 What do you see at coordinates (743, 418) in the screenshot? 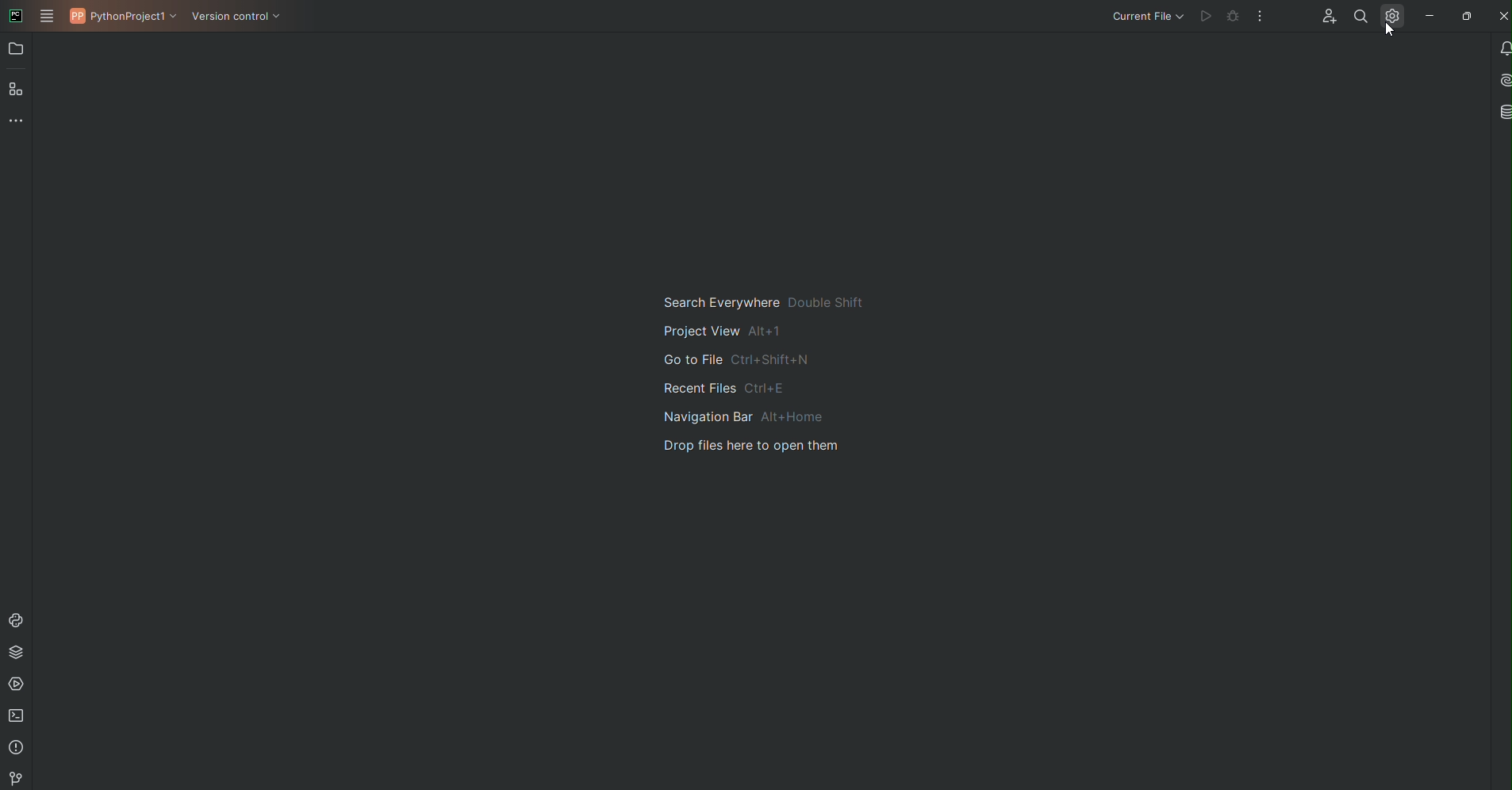
I see `navigation bar` at bounding box center [743, 418].